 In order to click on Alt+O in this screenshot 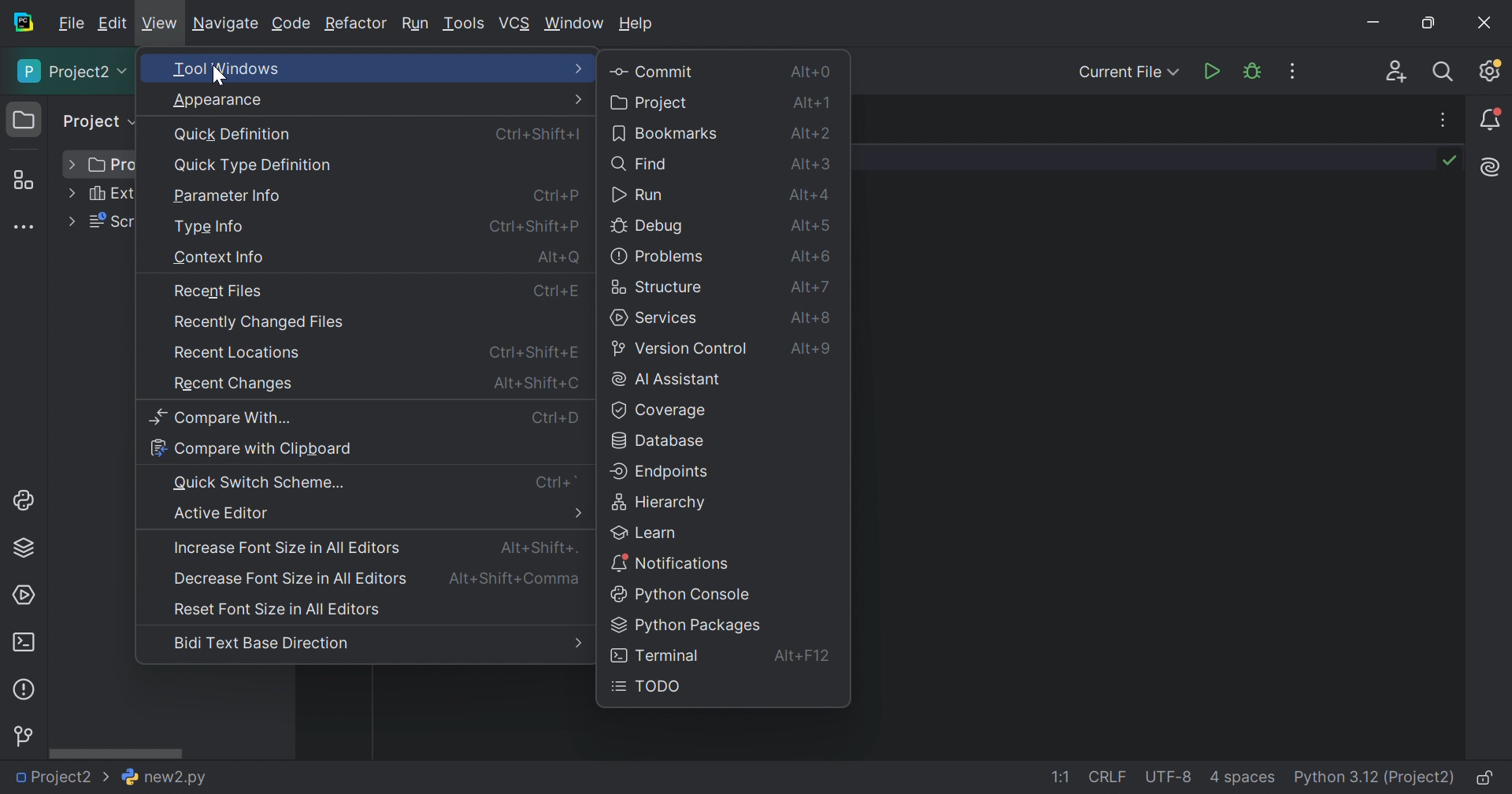, I will do `click(558, 257)`.